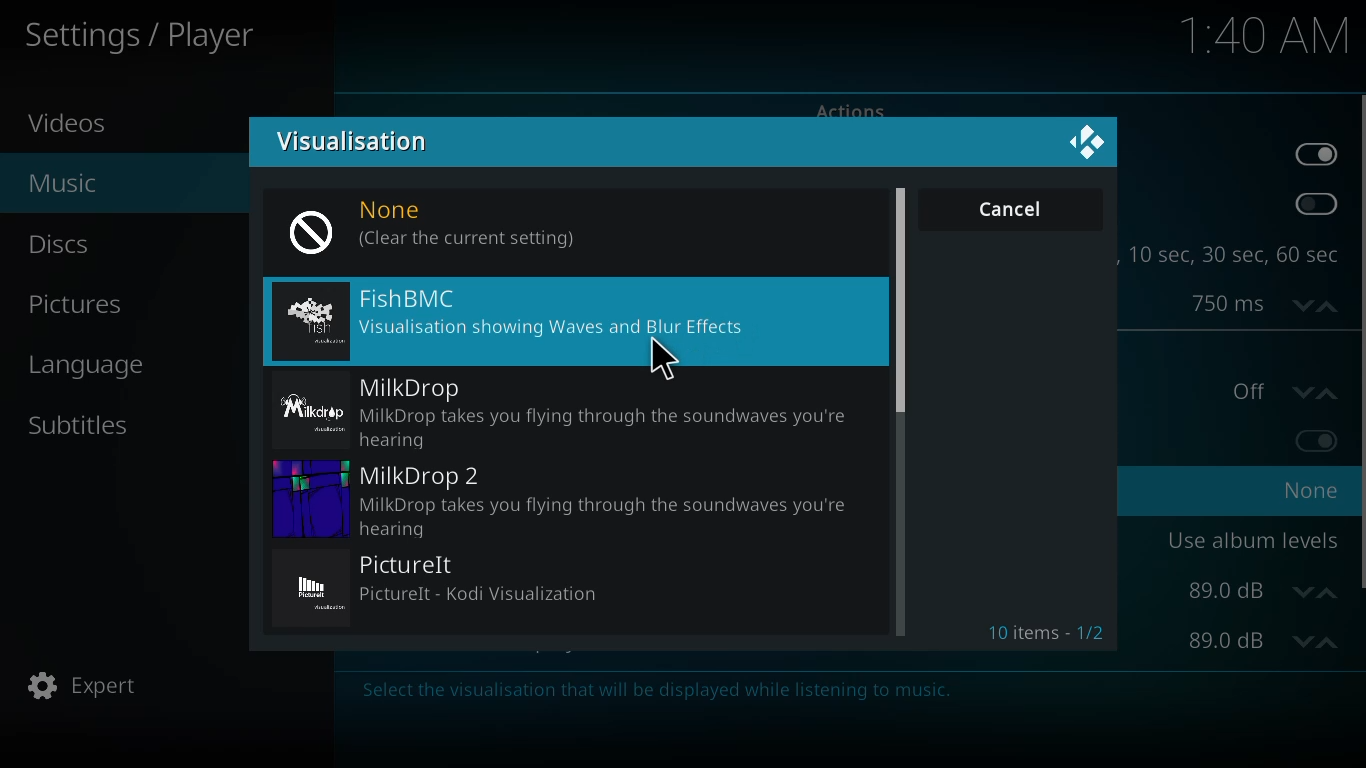  I want to click on videos, so click(75, 122).